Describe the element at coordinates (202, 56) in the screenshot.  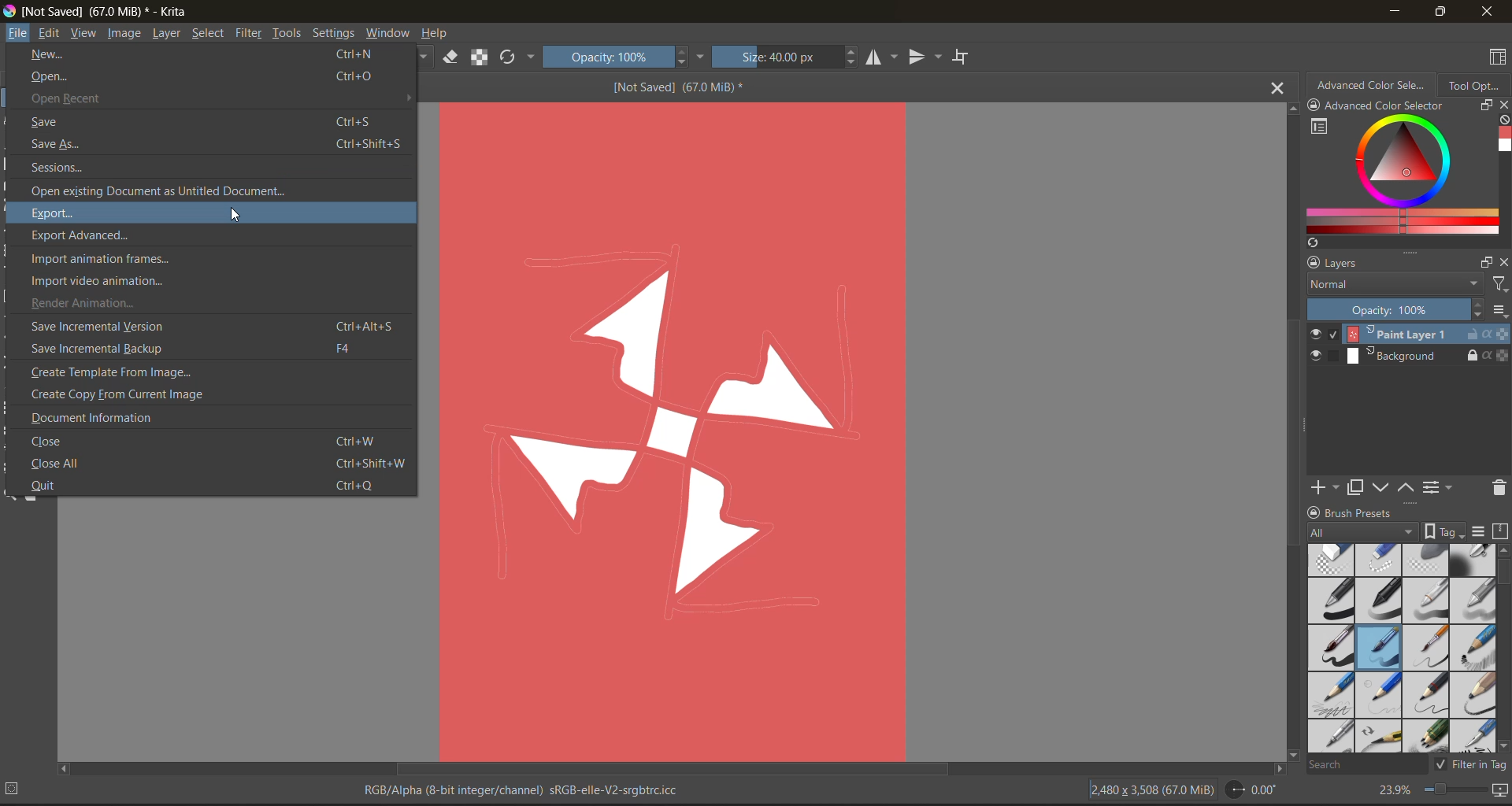
I see `new` at that location.